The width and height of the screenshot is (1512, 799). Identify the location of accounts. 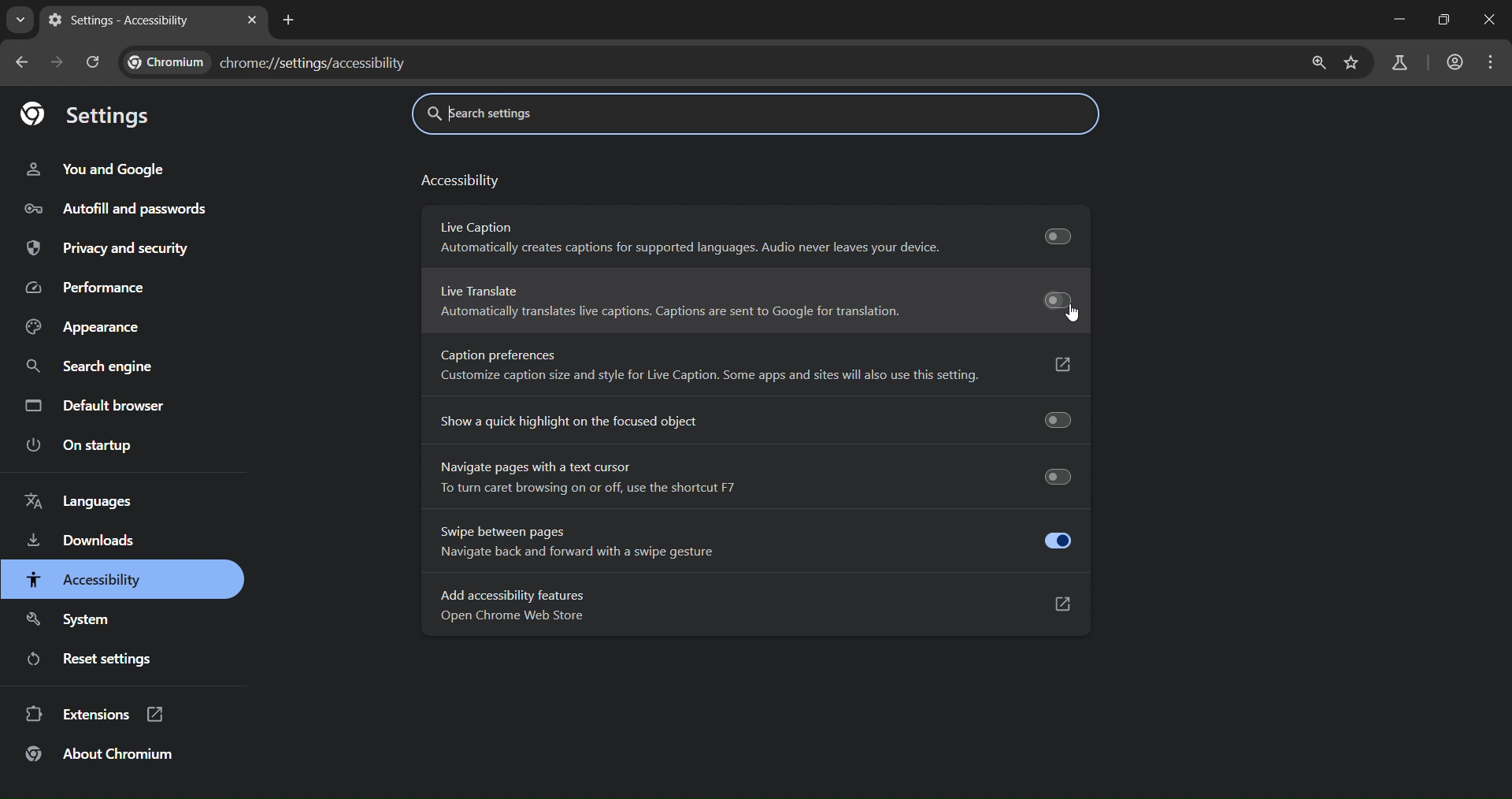
(1451, 63).